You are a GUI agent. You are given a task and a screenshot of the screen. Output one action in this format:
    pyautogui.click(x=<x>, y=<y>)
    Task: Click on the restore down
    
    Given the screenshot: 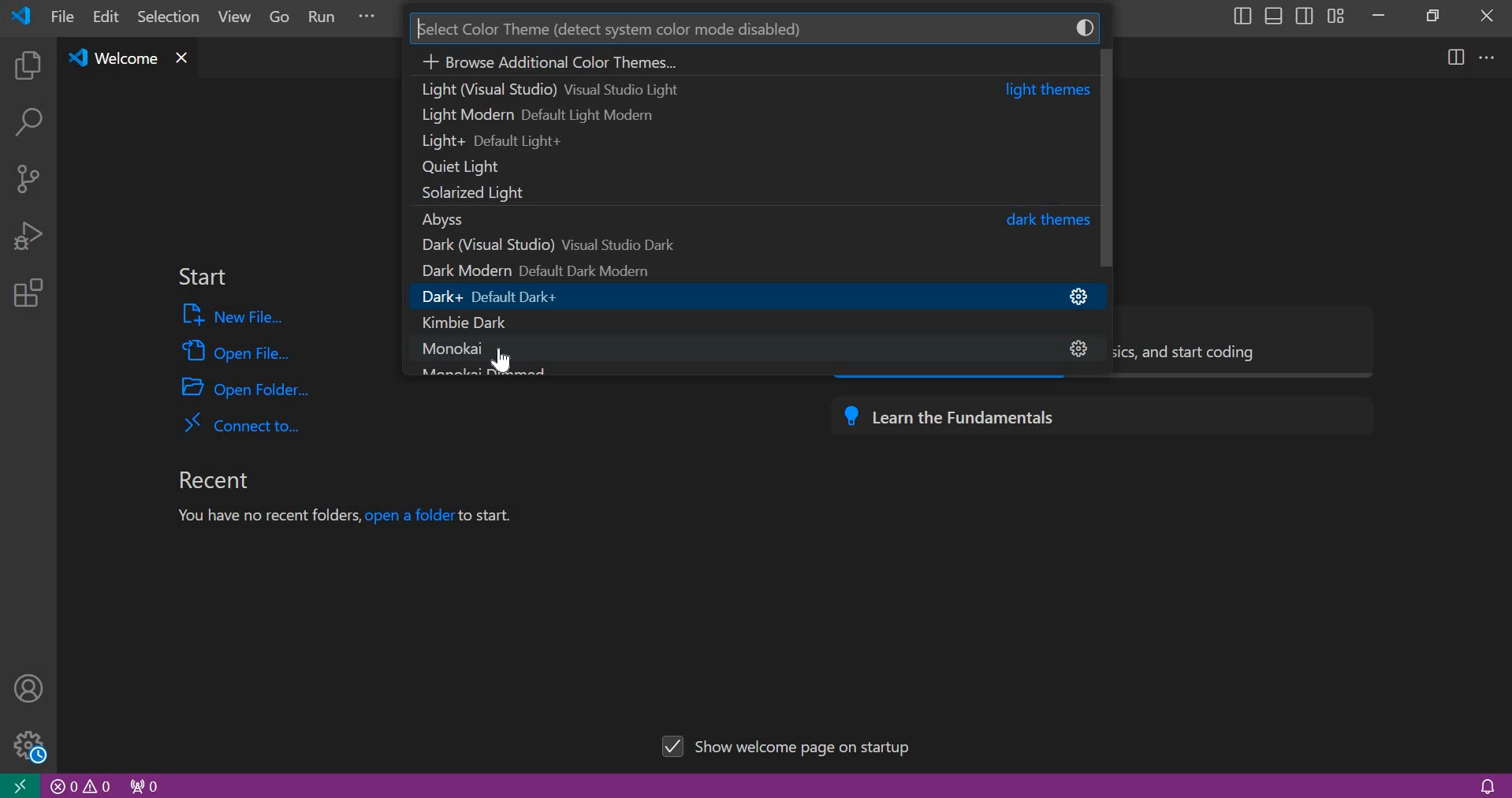 What is the action you would take?
    pyautogui.click(x=1428, y=14)
    